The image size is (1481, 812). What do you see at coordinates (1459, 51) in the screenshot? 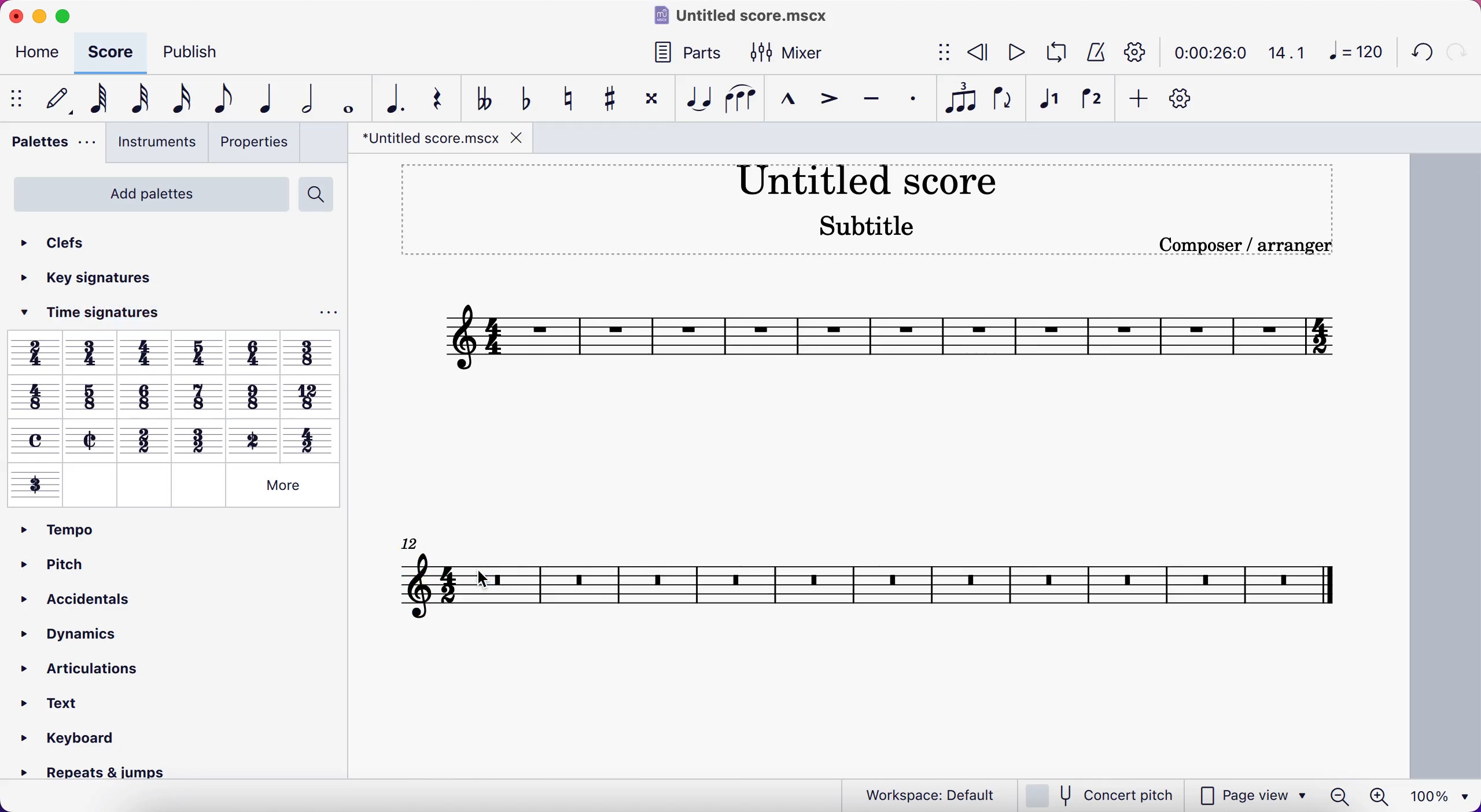
I see `redo` at bounding box center [1459, 51].